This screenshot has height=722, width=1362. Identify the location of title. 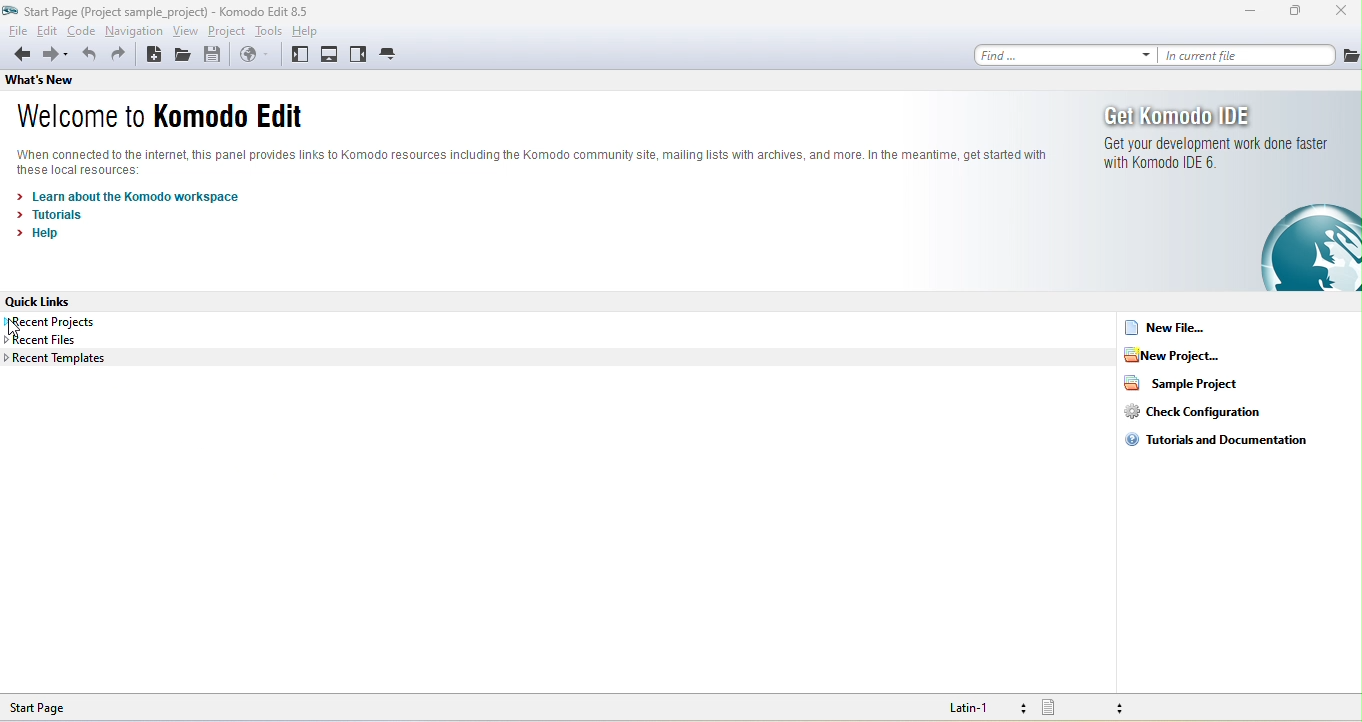
(158, 11).